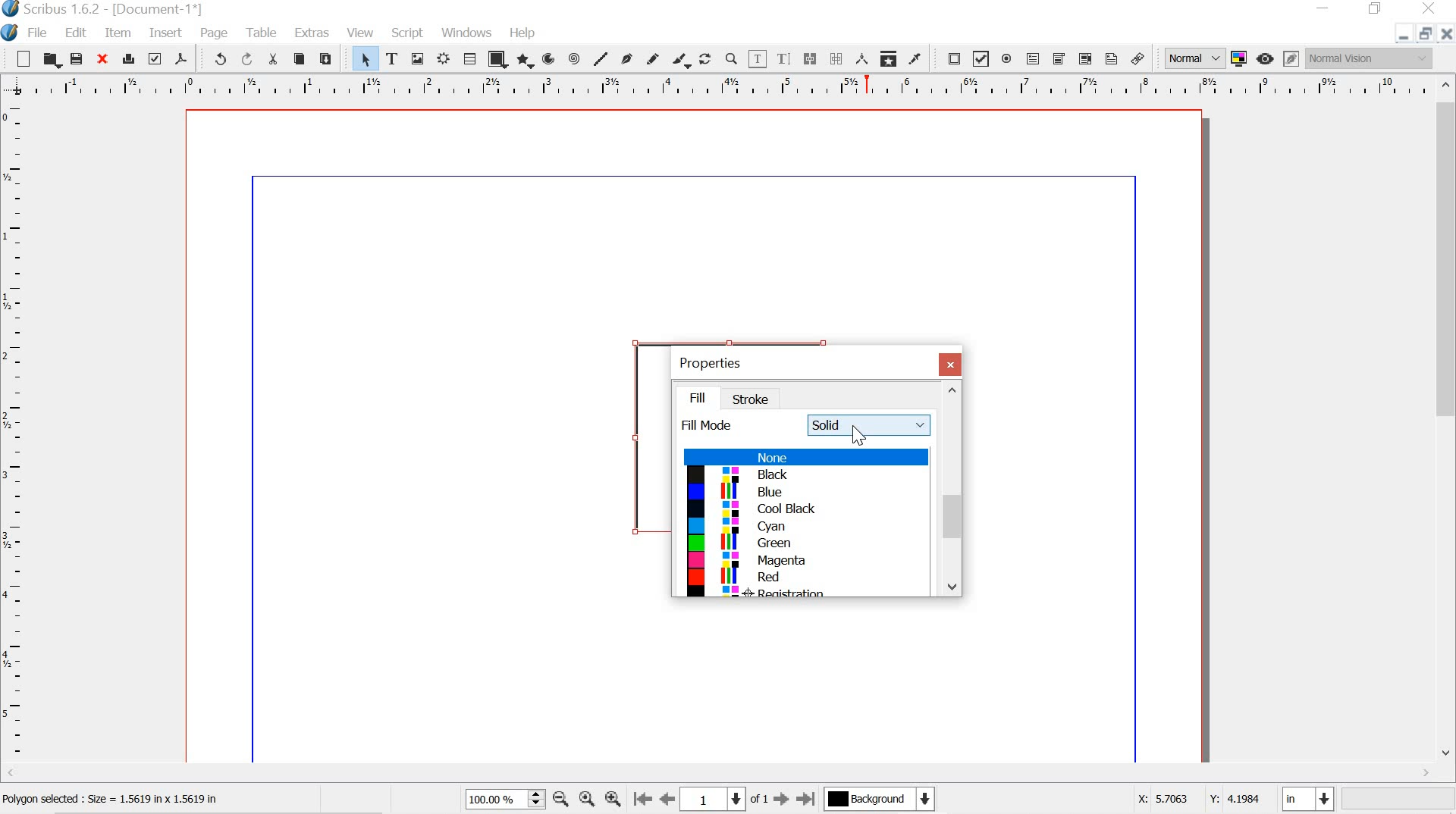 The image size is (1456, 814). Describe the element at coordinates (129, 58) in the screenshot. I see `print` at that location.